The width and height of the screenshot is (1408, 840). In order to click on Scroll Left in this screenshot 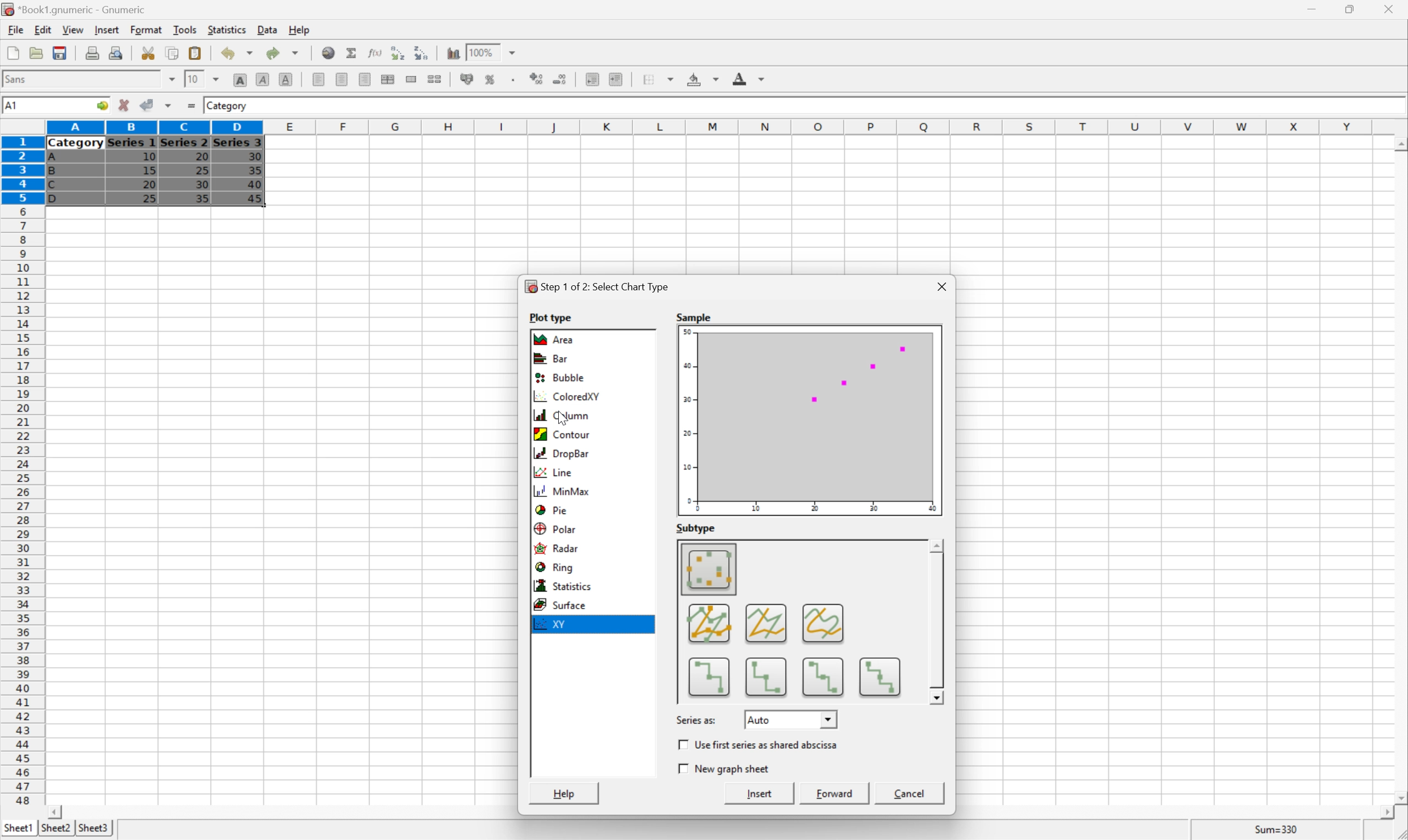, I will do `click(57, 812)`.